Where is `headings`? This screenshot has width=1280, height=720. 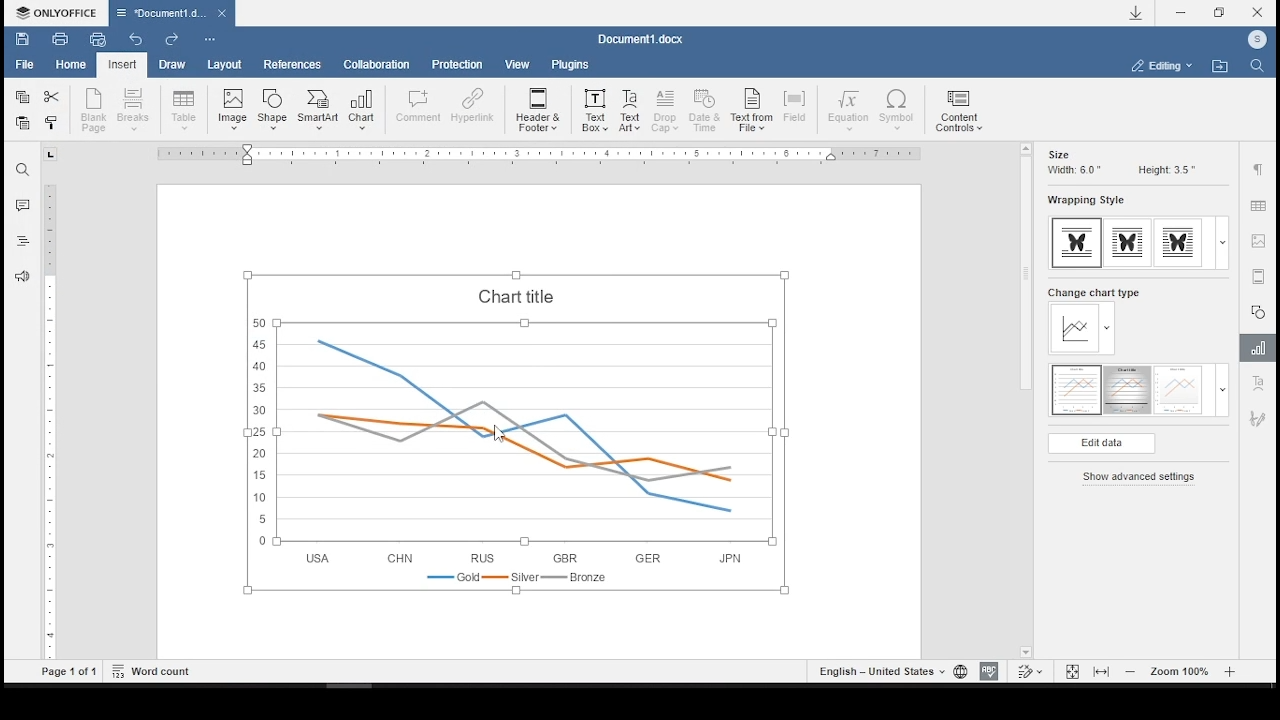 headings is located at coordinates (20, 242).